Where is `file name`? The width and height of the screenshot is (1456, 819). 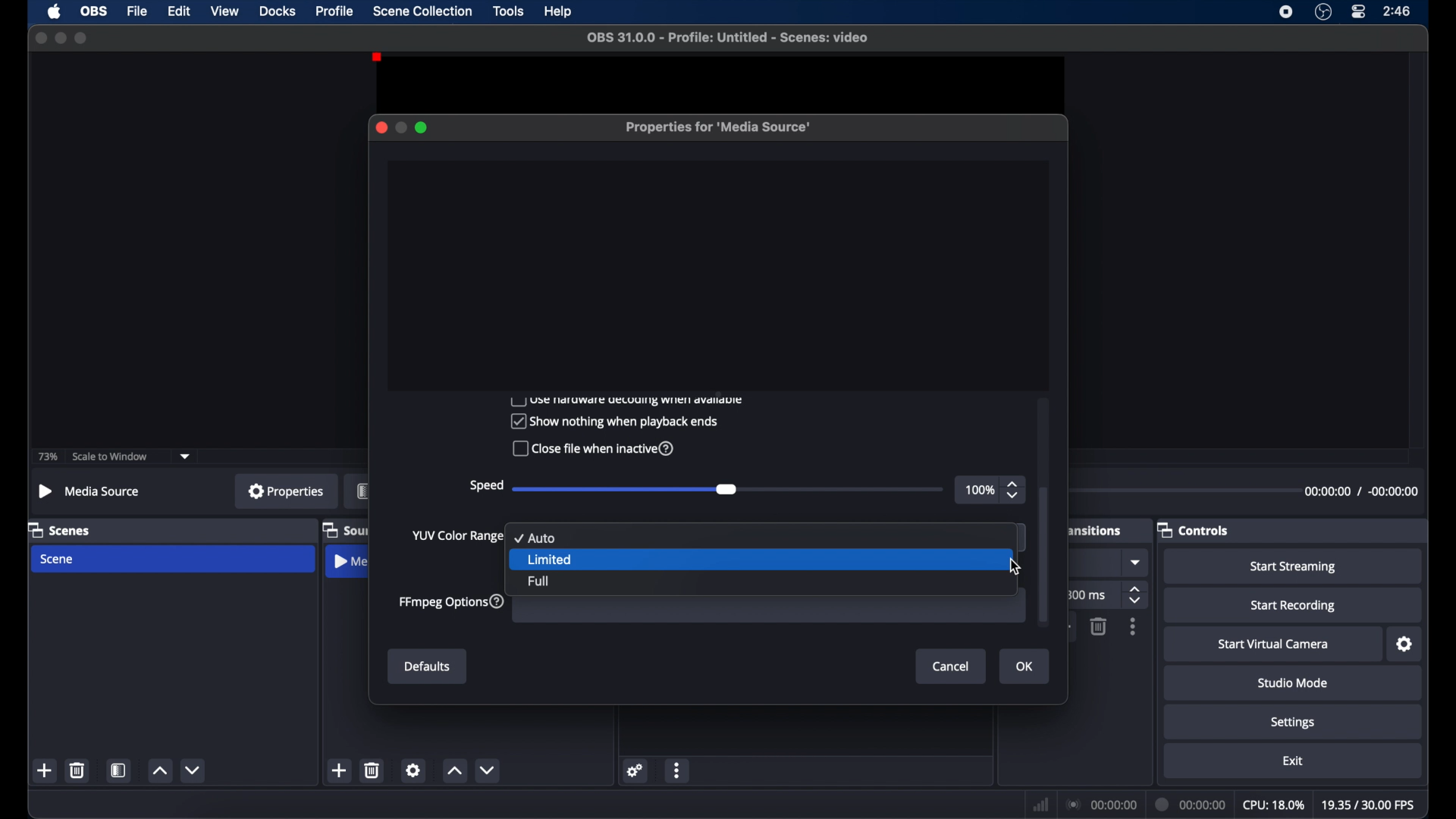 file name is located at coordinates (727, 37).